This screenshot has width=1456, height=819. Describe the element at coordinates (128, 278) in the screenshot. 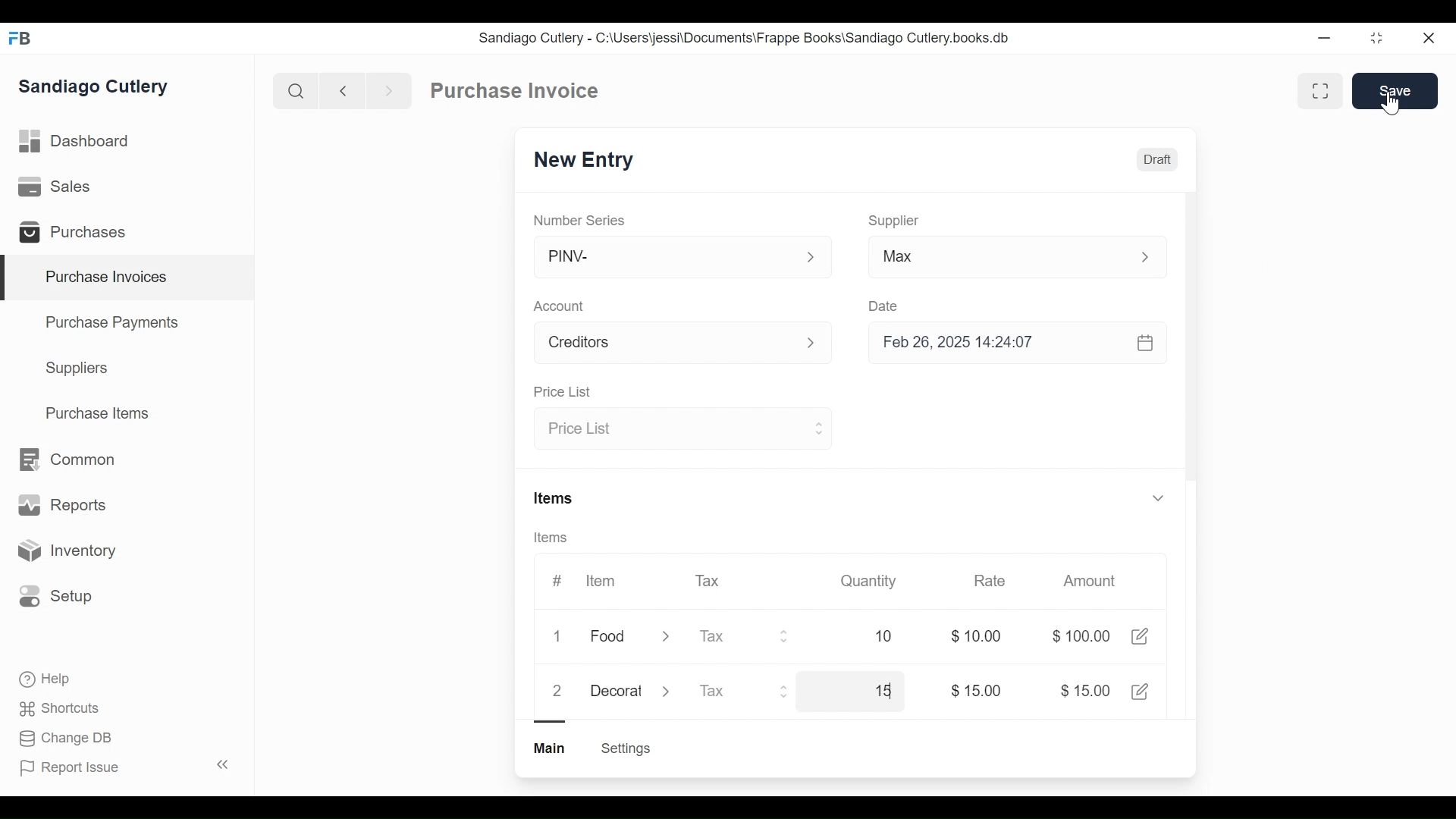

I see `Purchase Invoices` at that location.